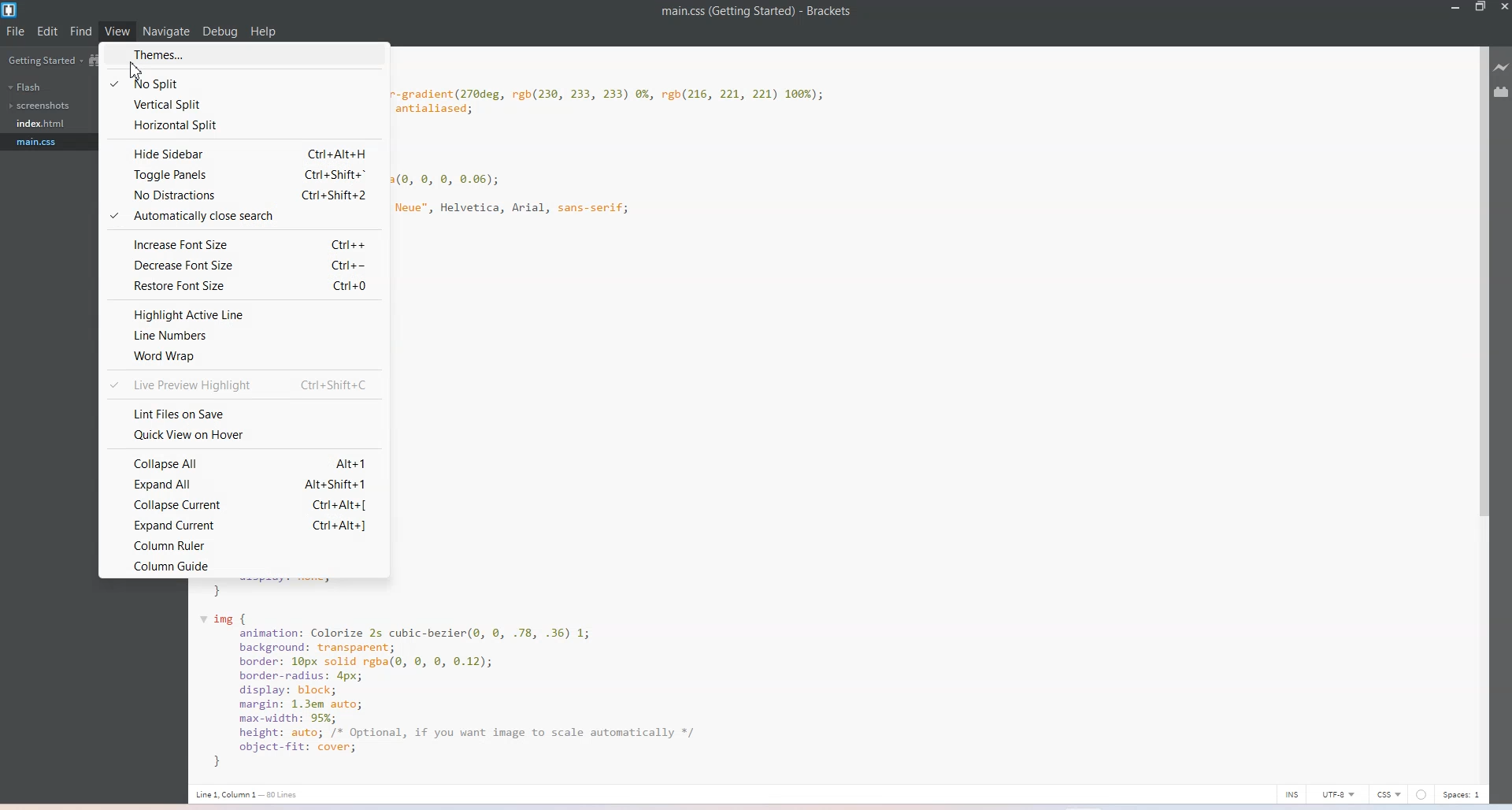 The width and height of the screenshot is (1512, 810). What do you see at coordinates (245, 244) in the screenshot?
I see `Increase font size` at bounding box center [245, 244].